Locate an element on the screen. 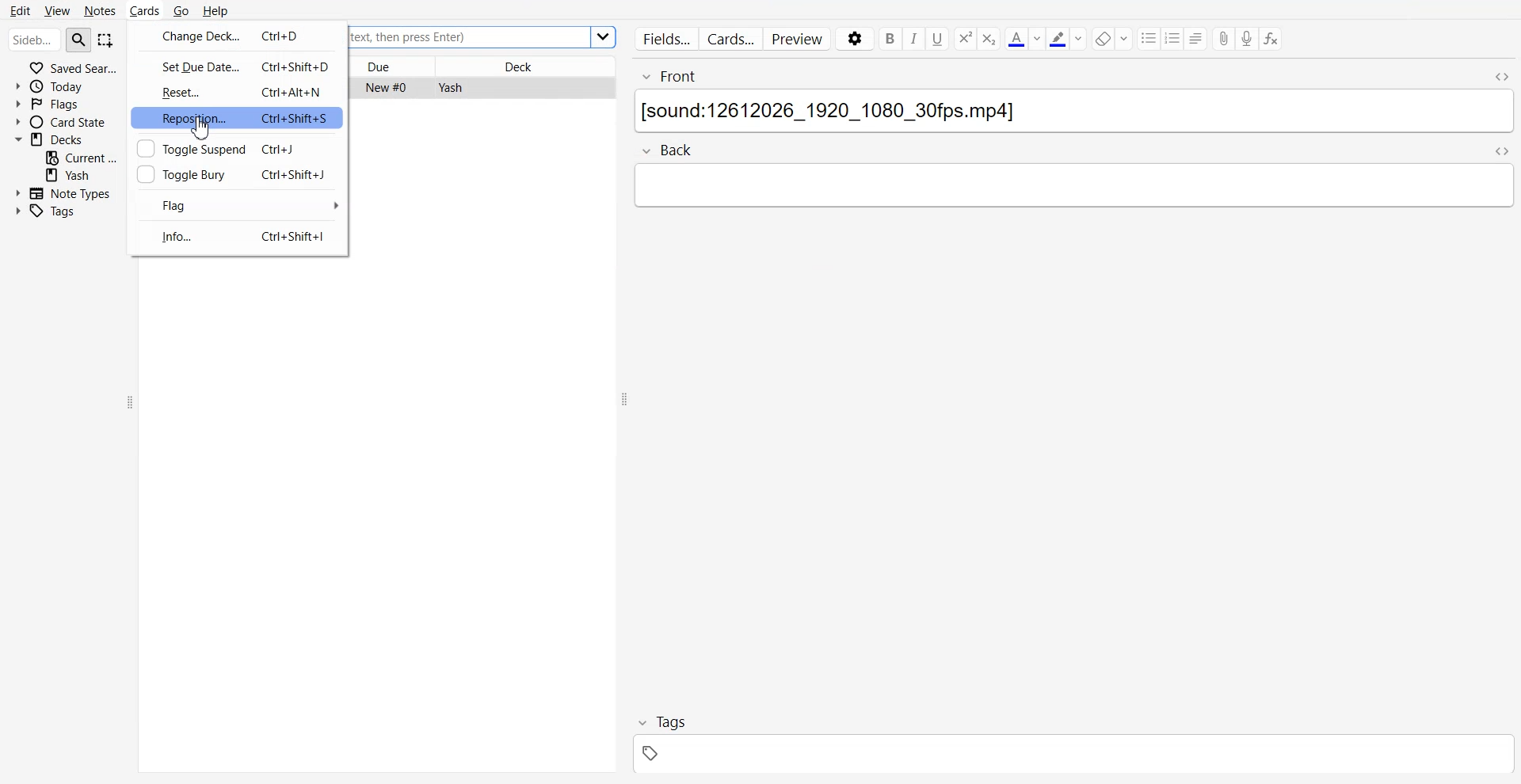 Image resolution: width=1521 pixels, height=784 pixels. Tags is located at coordinates (55, 211).